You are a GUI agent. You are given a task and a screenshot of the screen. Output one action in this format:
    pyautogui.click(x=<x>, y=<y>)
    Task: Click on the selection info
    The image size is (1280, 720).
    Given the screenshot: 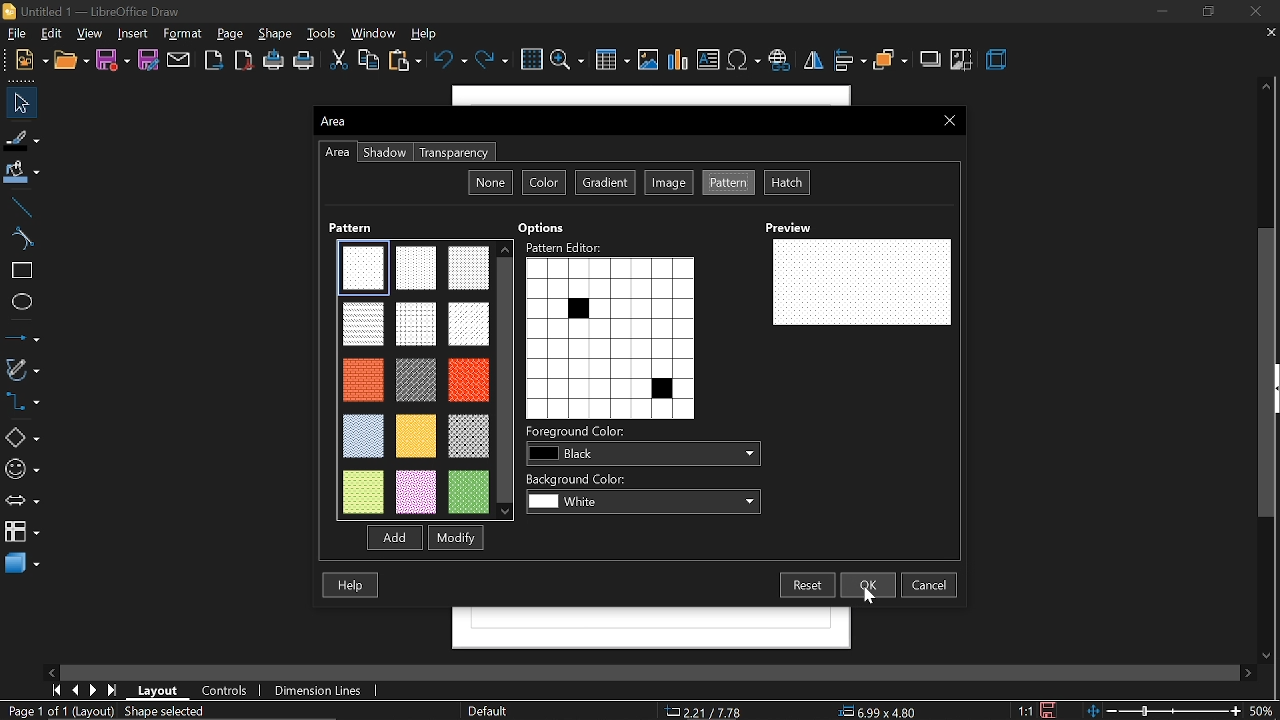 What is the action you would take?
    pyautogui.click(x=167, y=711)
    